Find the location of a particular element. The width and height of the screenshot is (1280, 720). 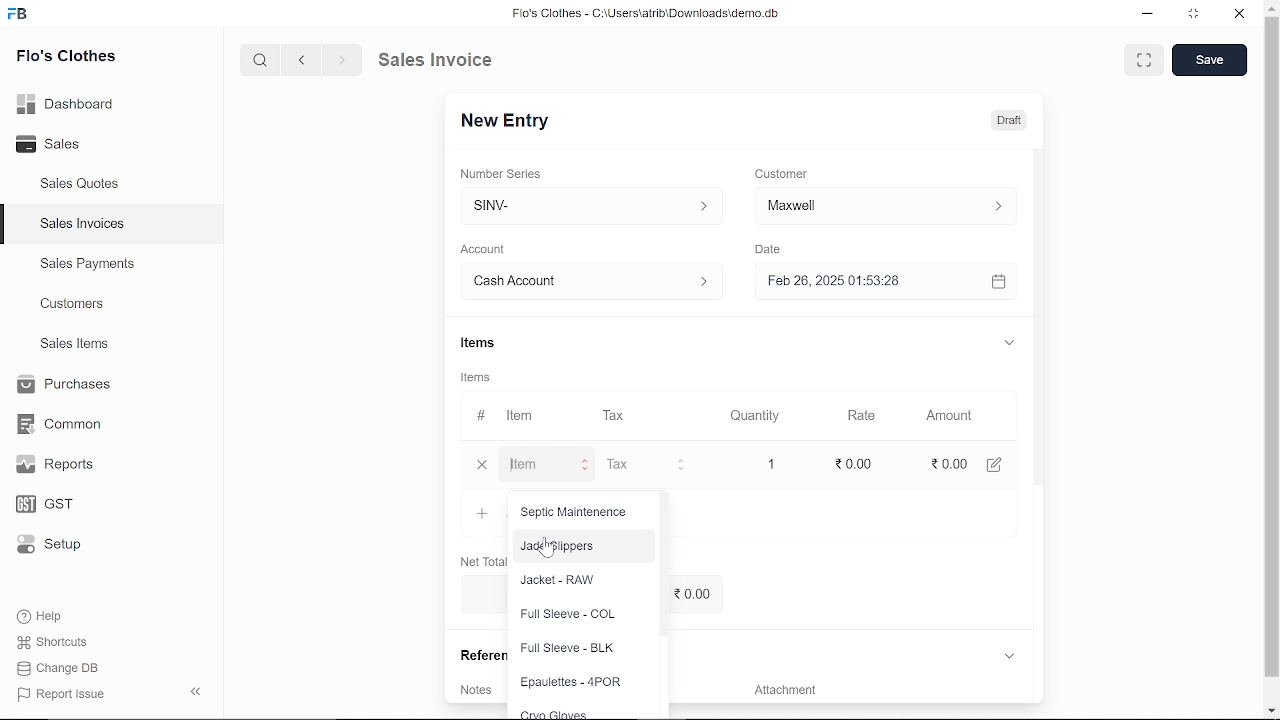

frappe books is located at coordinates (18, 16).